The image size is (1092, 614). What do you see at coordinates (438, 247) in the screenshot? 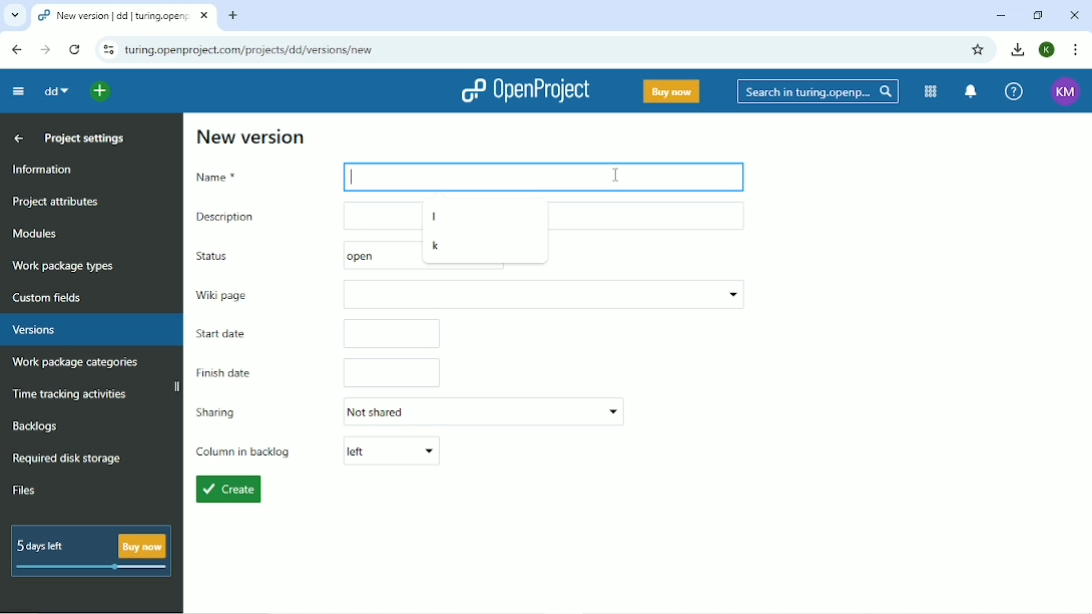
I see `k` at bounding box center [438, 247].